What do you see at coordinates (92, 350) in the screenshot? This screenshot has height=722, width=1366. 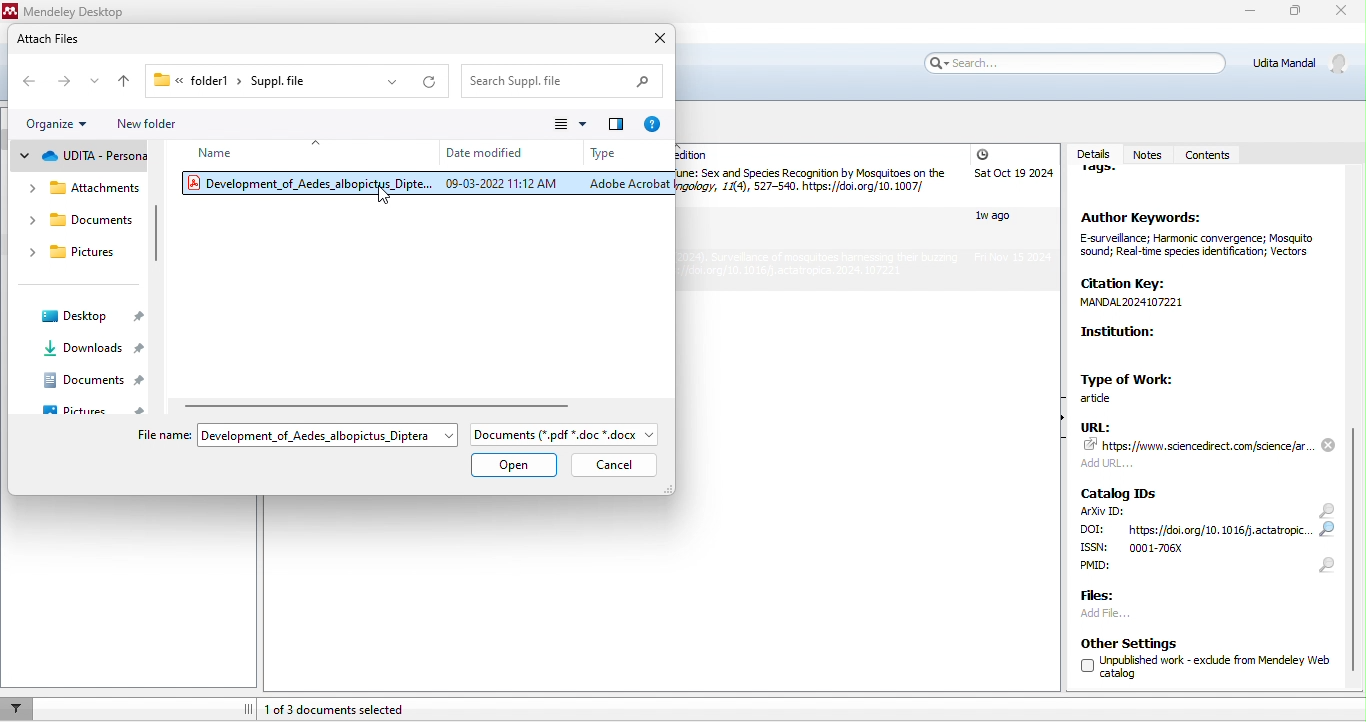 I see `downloads` at bounding box center [92, 350].